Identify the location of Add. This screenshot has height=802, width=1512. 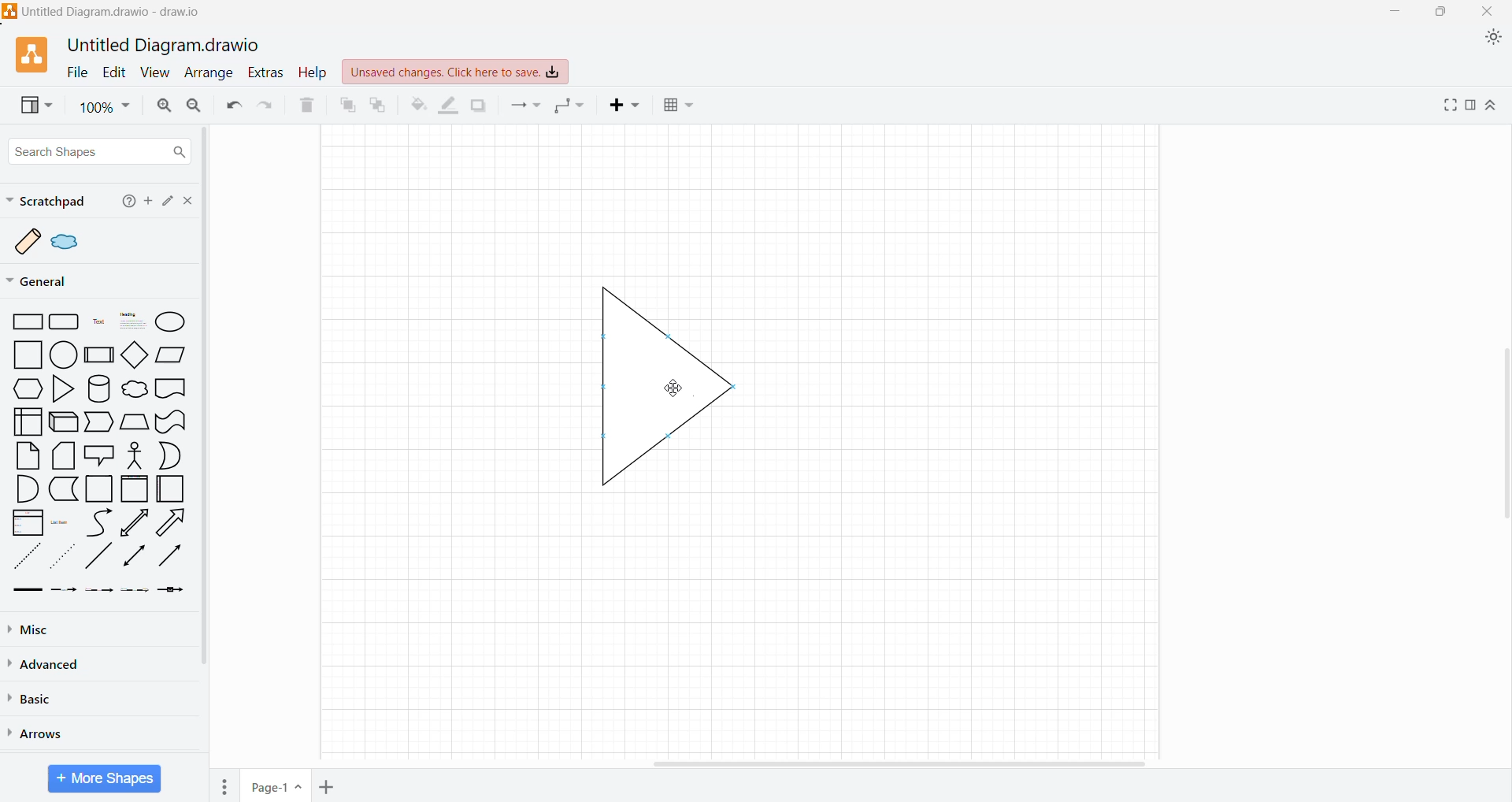
(147, 201).